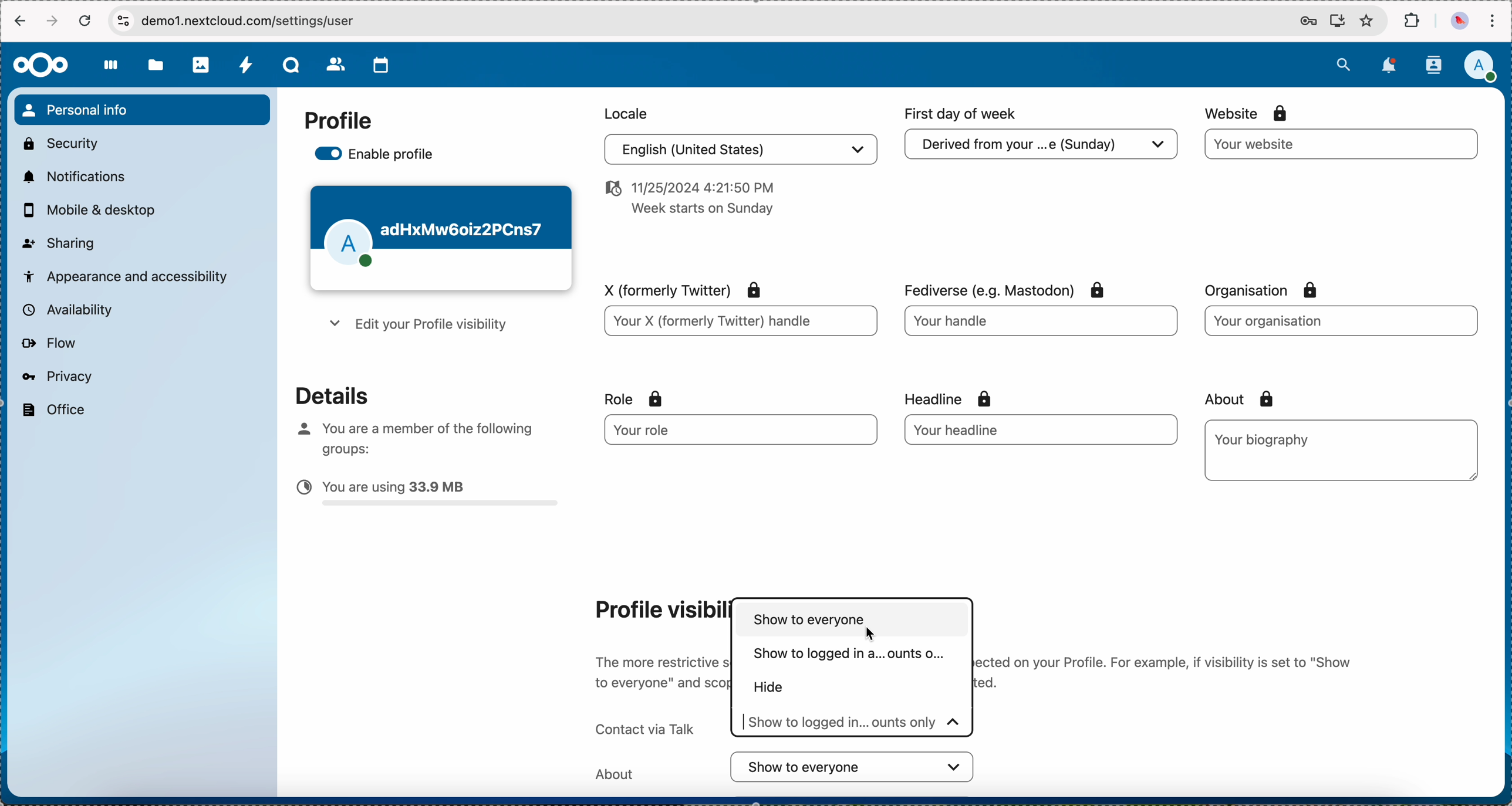 This screenshot has height=806, width=1512. I want to click on click on show to everyone, so click(854, 621).